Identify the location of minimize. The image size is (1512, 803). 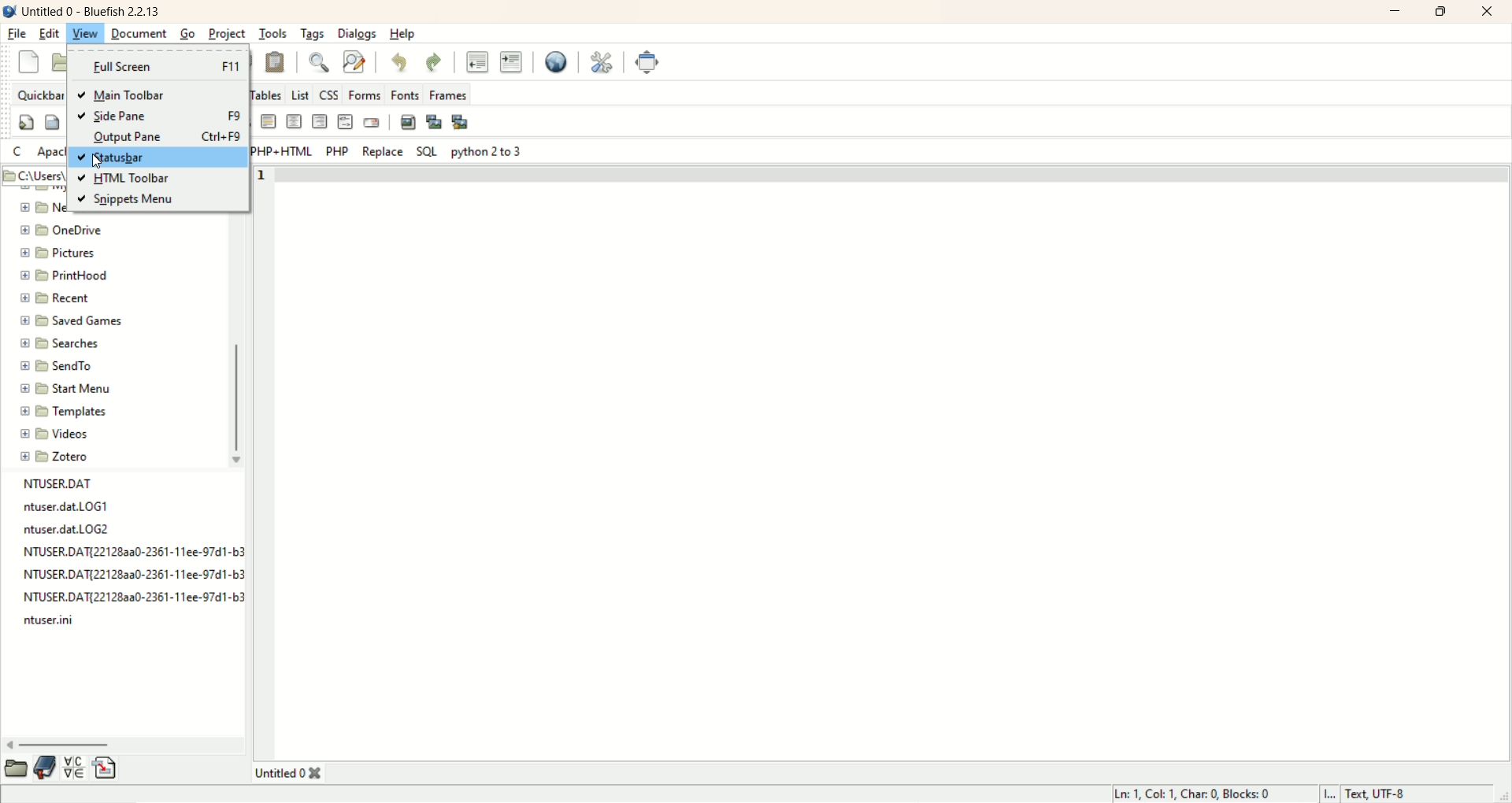
(1398, 12).